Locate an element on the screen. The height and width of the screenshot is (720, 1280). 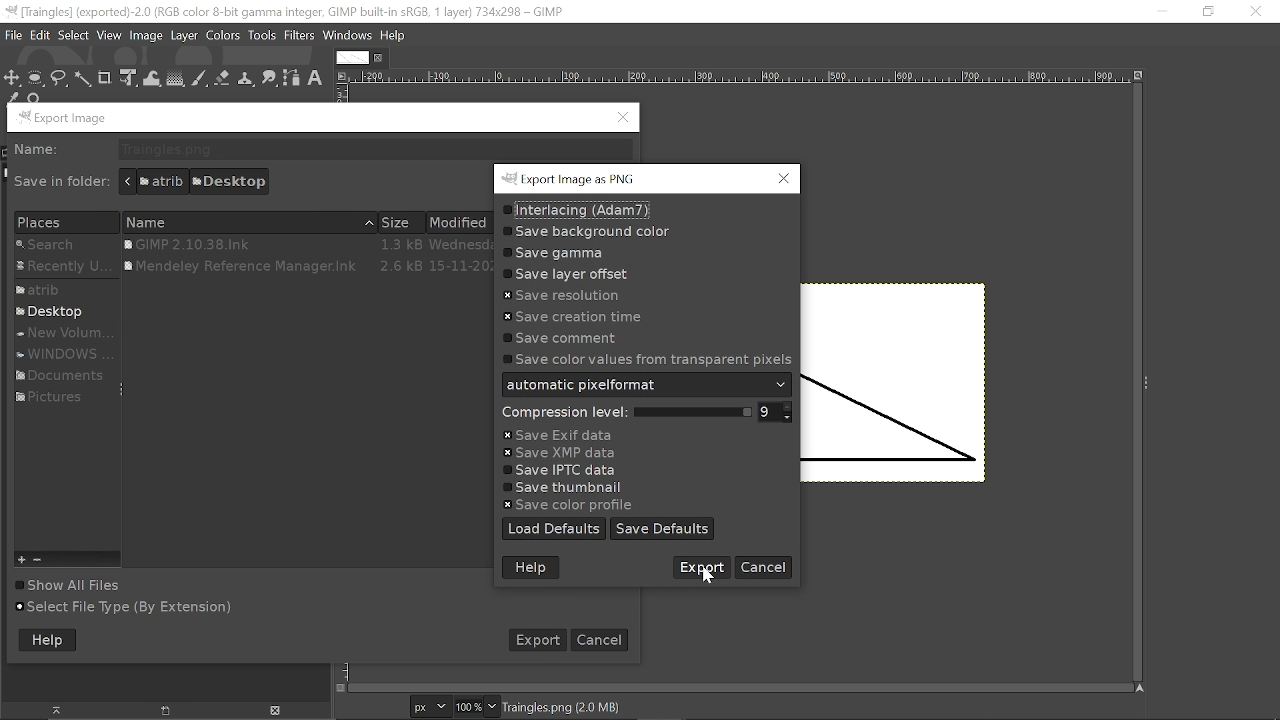
Name: is located at coordinates (39, 150).